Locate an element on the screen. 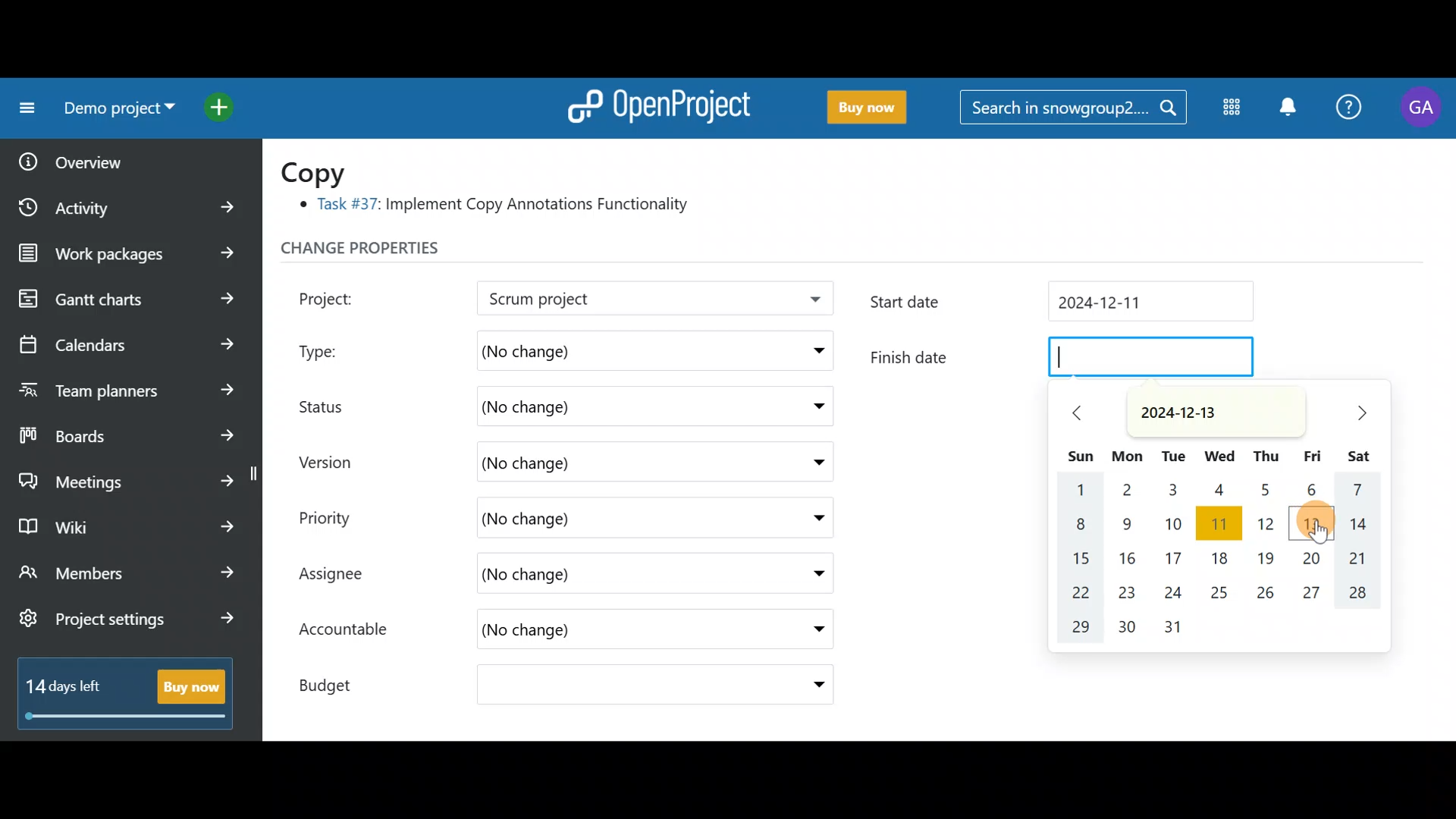 The image size is (1456, 819). Tue is located at coordinates (1174, 453).